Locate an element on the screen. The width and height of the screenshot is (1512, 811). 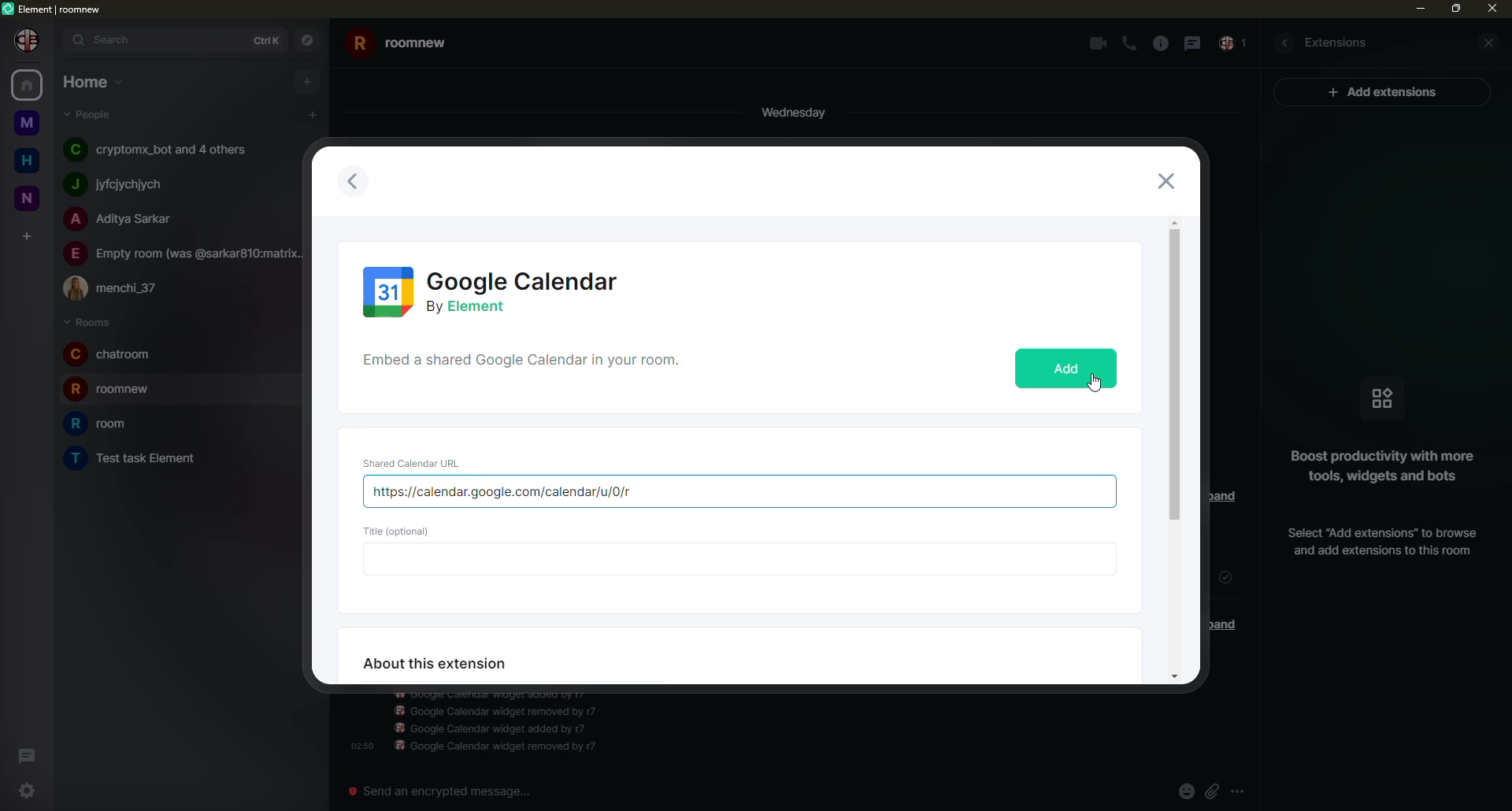
call is located at coordinates (1130, 44).